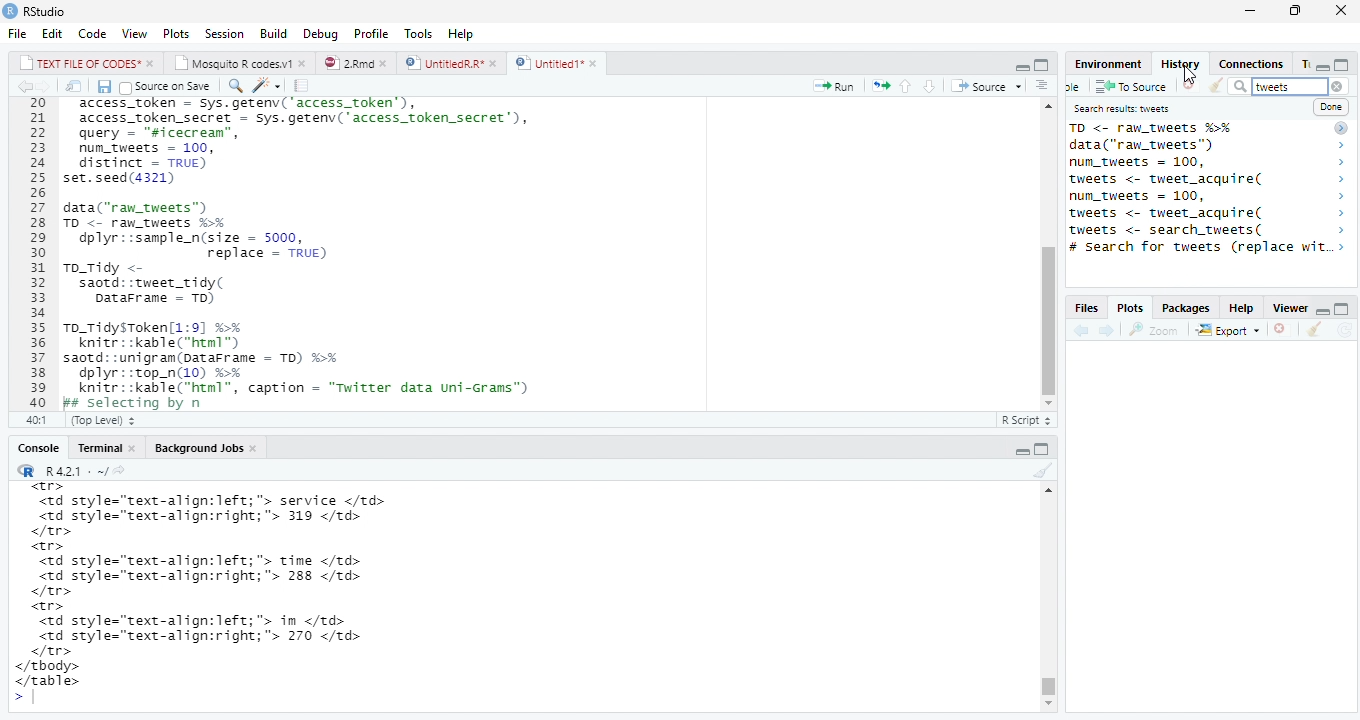 The width and height of the screenshot is (1360, 720). Describe the element at coordinates (76, 62) in the screenshot. I see `|_| TEXT FILE OF CODES" »` at that location.